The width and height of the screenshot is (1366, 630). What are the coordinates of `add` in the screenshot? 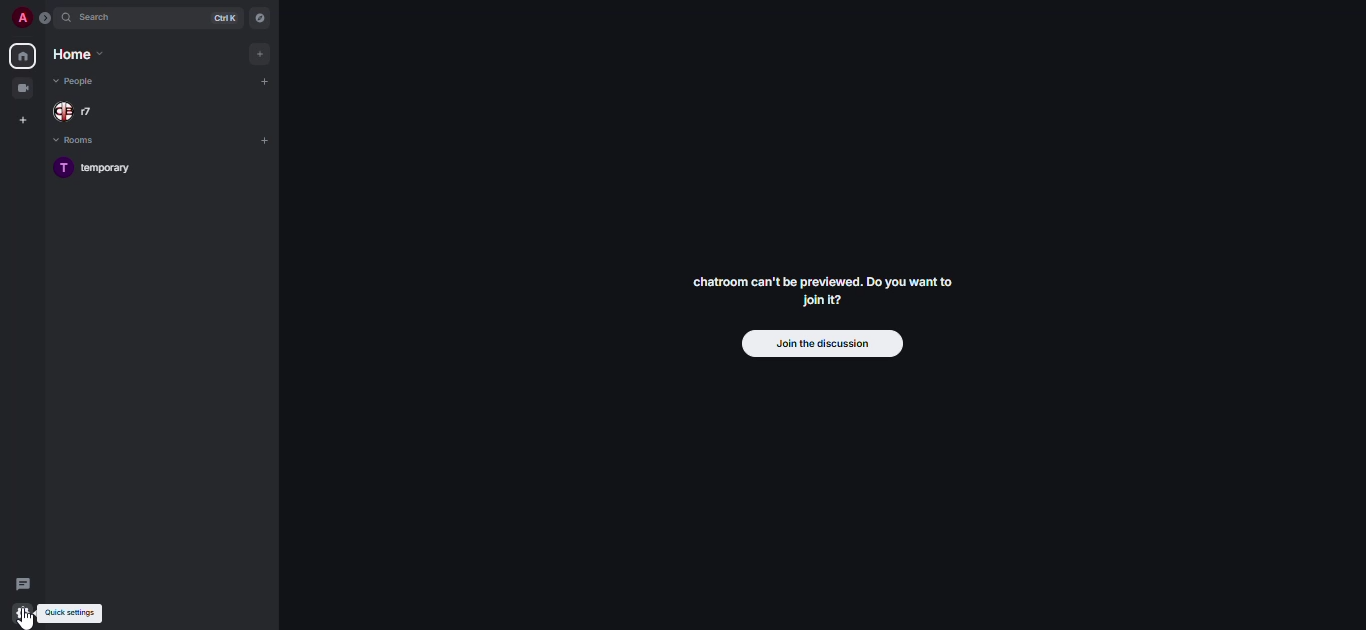 It's located at (264, 83).